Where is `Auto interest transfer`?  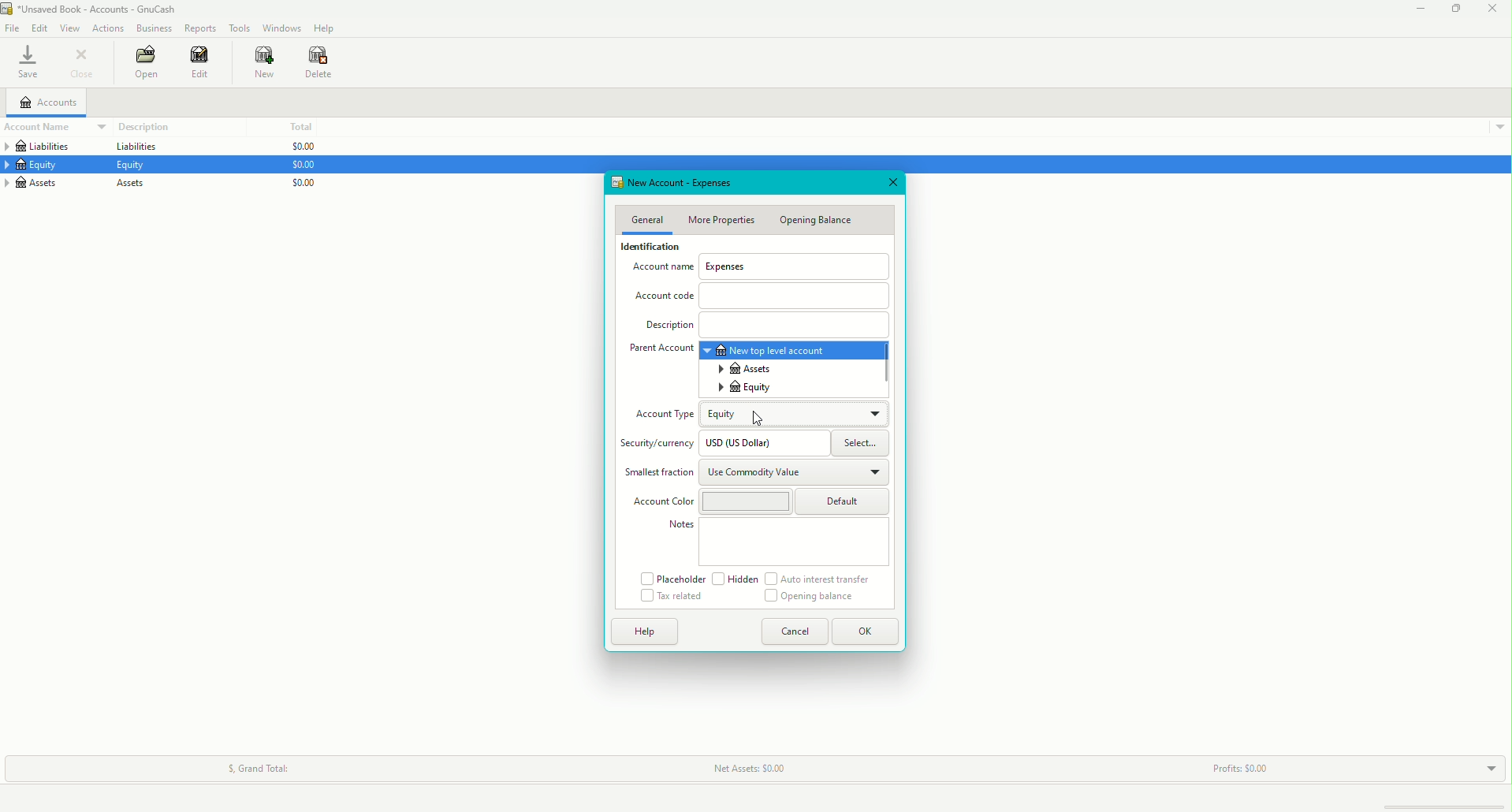
Auto interest transfer is located at coordinates (821, 579).